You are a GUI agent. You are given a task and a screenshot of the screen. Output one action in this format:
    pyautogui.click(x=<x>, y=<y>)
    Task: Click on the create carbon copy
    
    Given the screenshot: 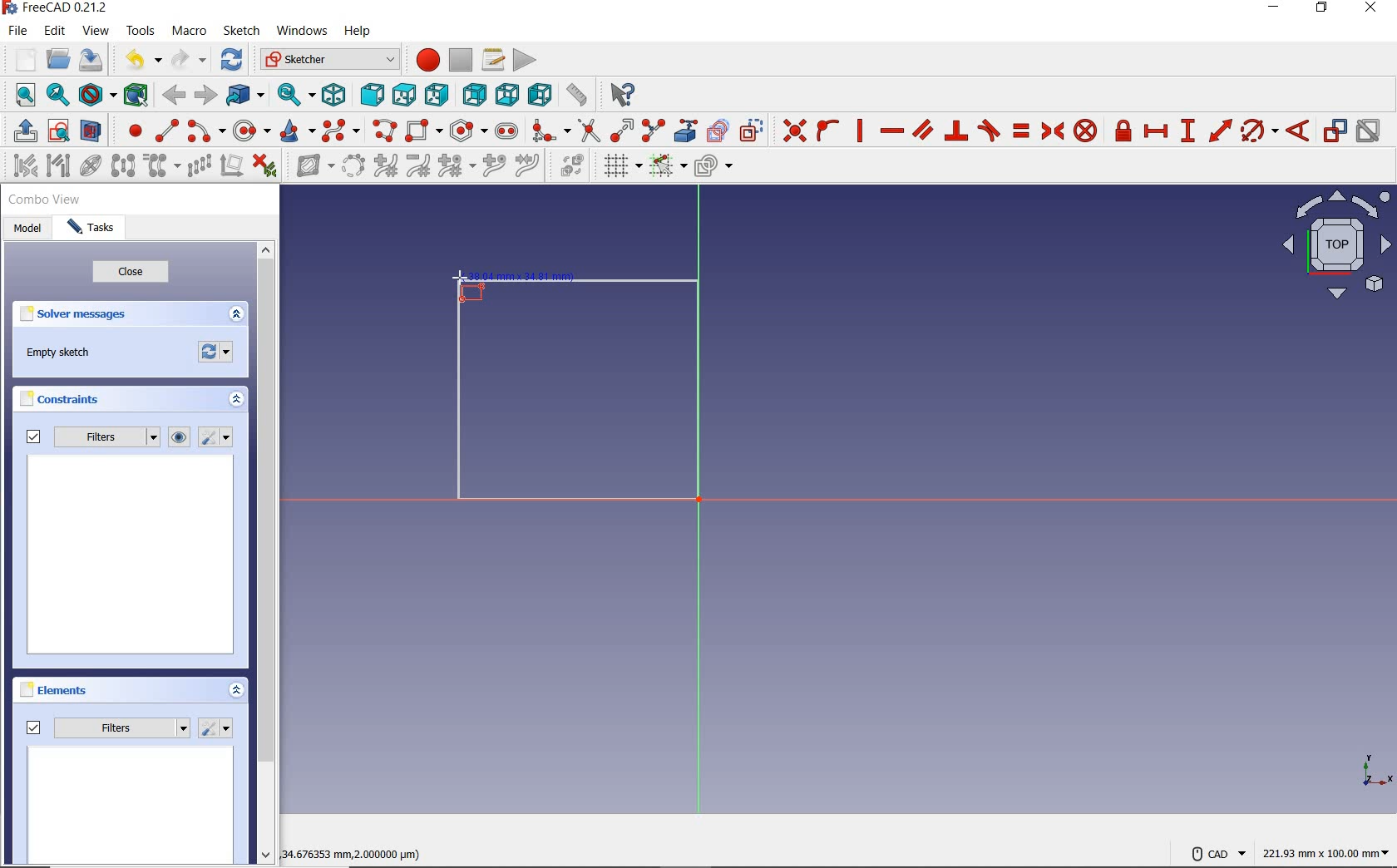 What is the action you would take?
    pyautogui.click(x=718, y=131)
    